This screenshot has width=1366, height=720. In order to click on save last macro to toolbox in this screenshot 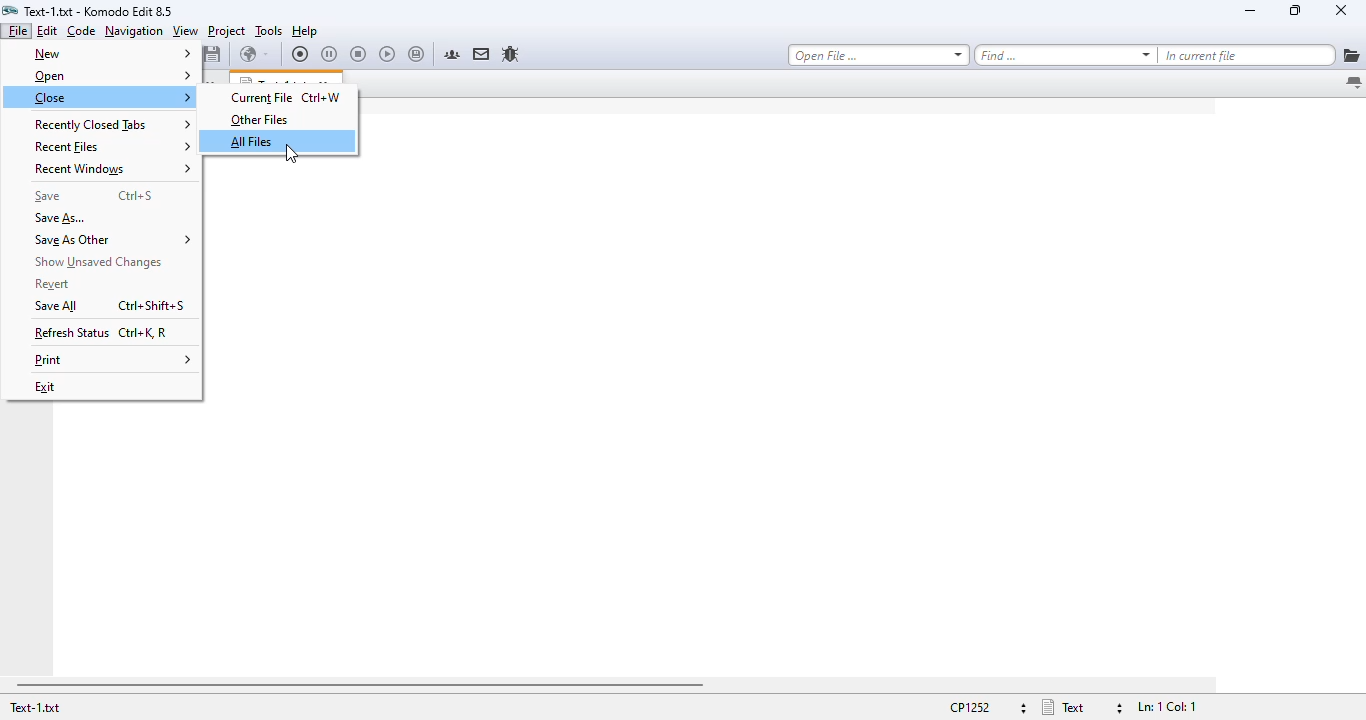, I will do `click(417, 55)`.